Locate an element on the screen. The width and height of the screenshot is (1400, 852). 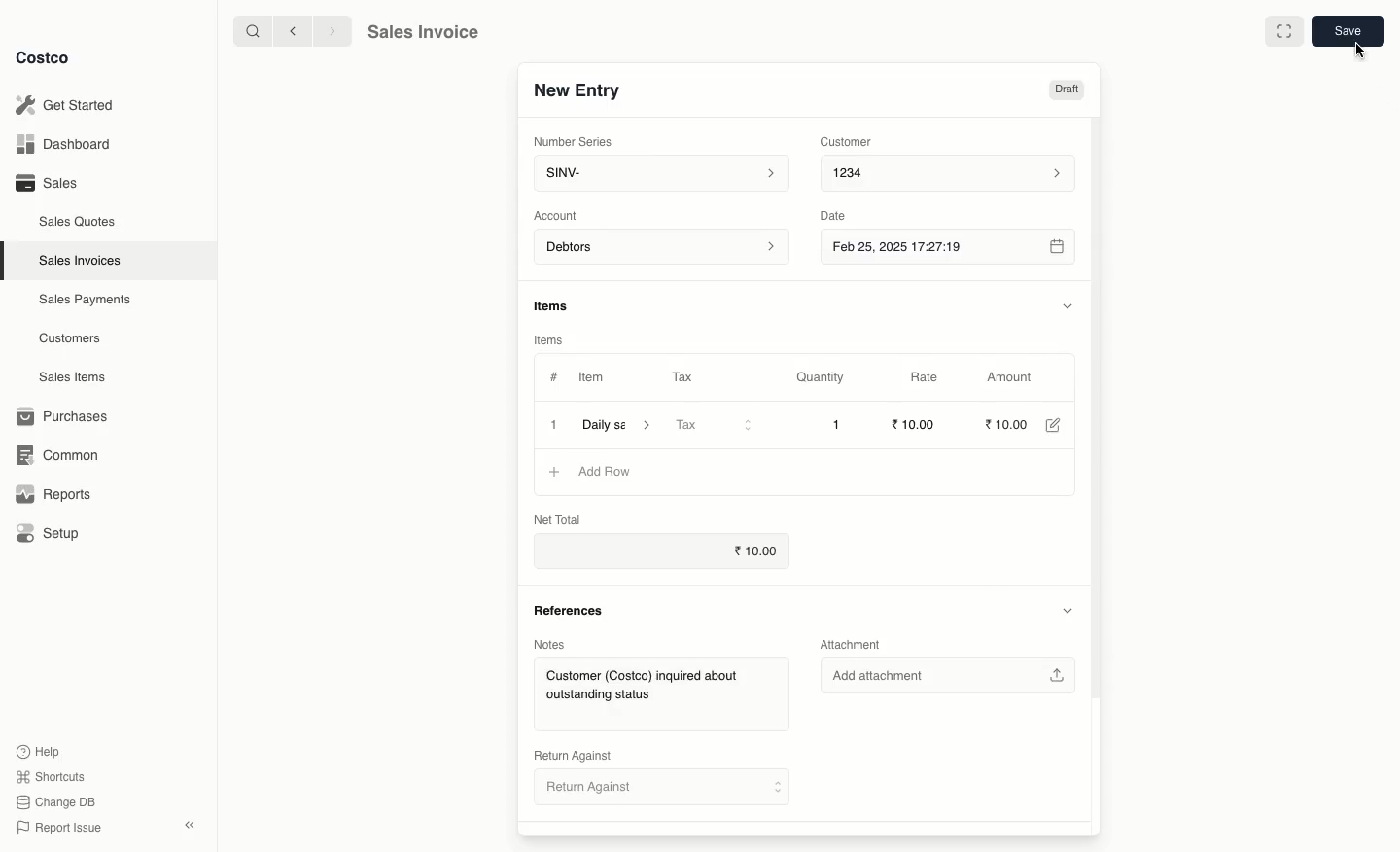
References is located at coordinates (576, 611).